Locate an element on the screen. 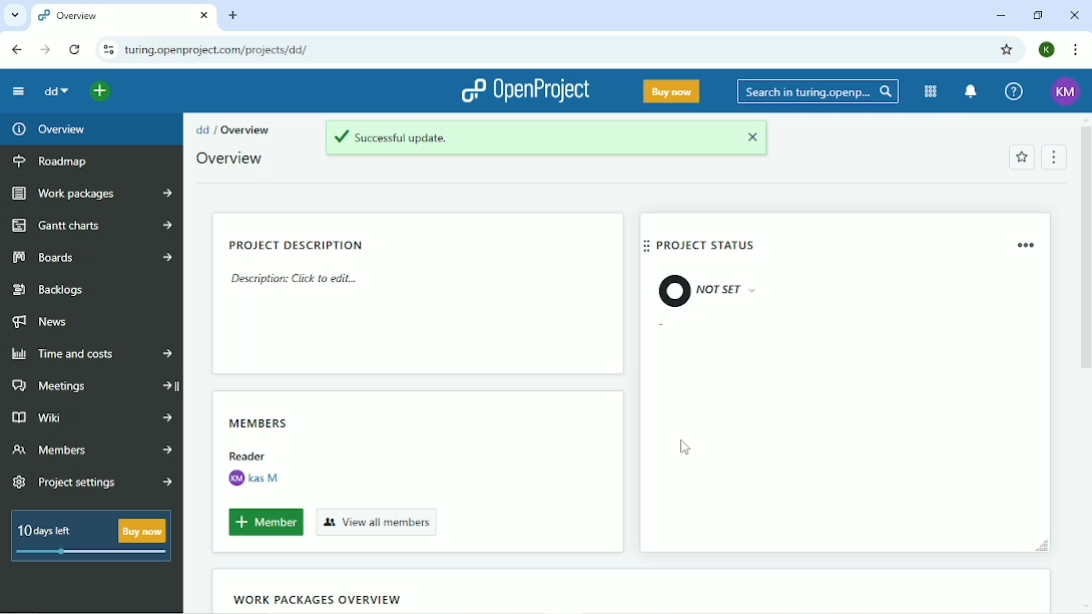  Search is located at coordinates (818, 93).